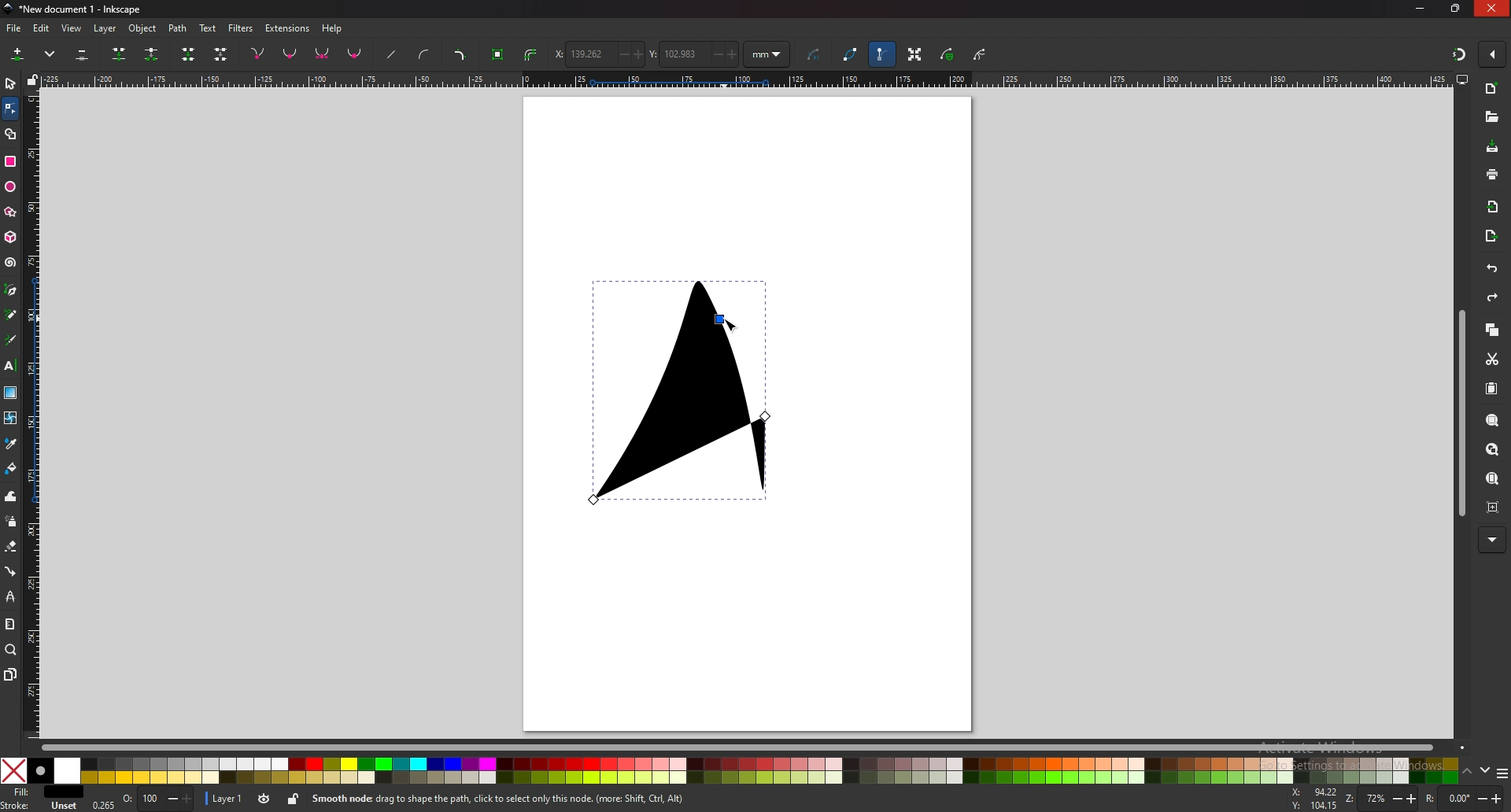  Describe the element at coordinates (241, 28) in the screenshot. I see `filters` at that location.